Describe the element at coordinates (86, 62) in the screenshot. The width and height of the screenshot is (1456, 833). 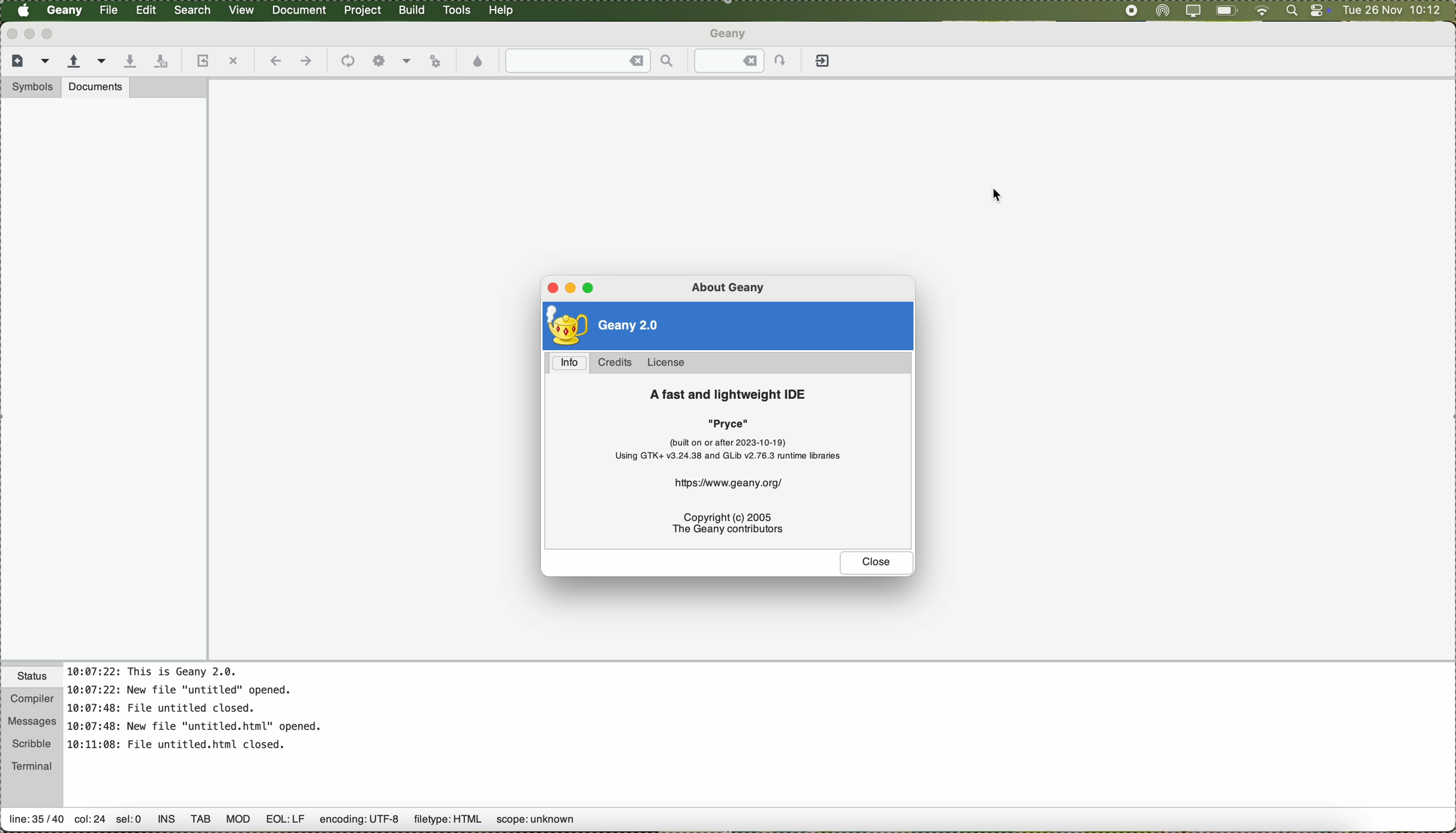
I see `open an existing file` at that location.